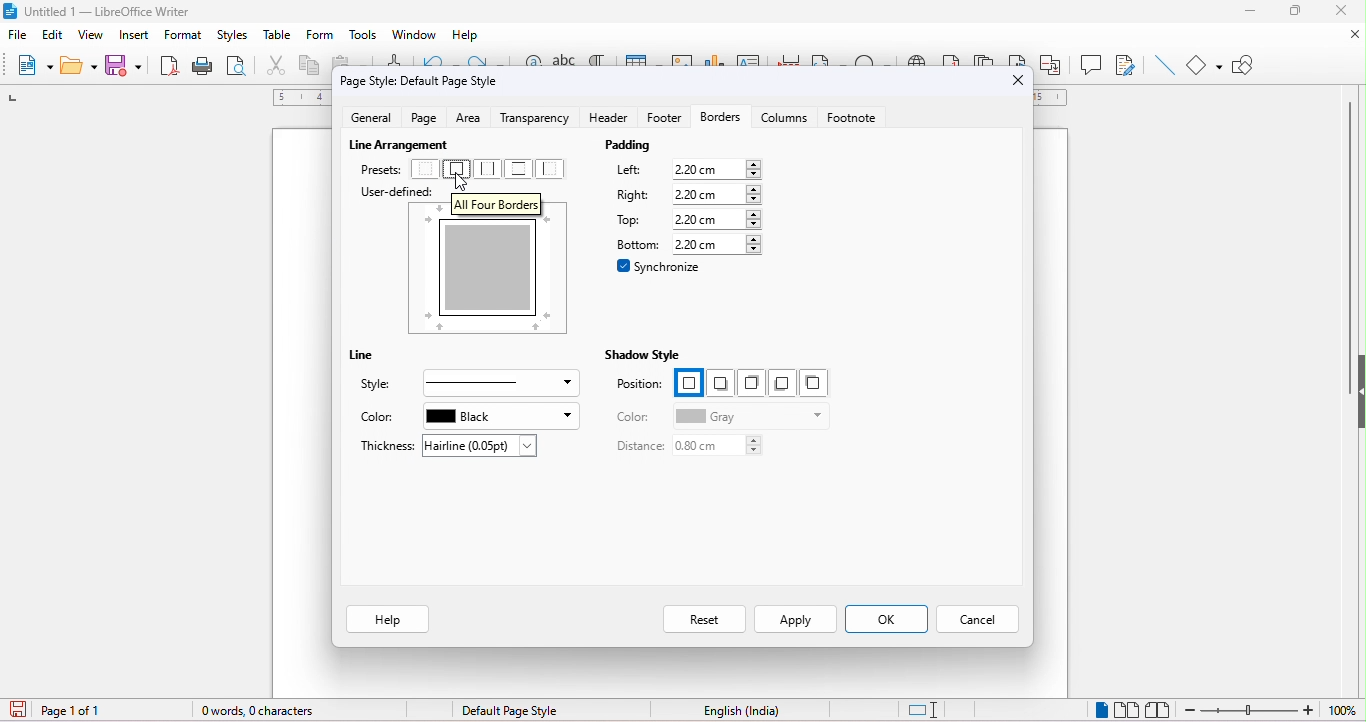 The image size is (1366, 722). Describe the element at coordinates (490, 168) in the screenshot. I see `select pre set` at that location.